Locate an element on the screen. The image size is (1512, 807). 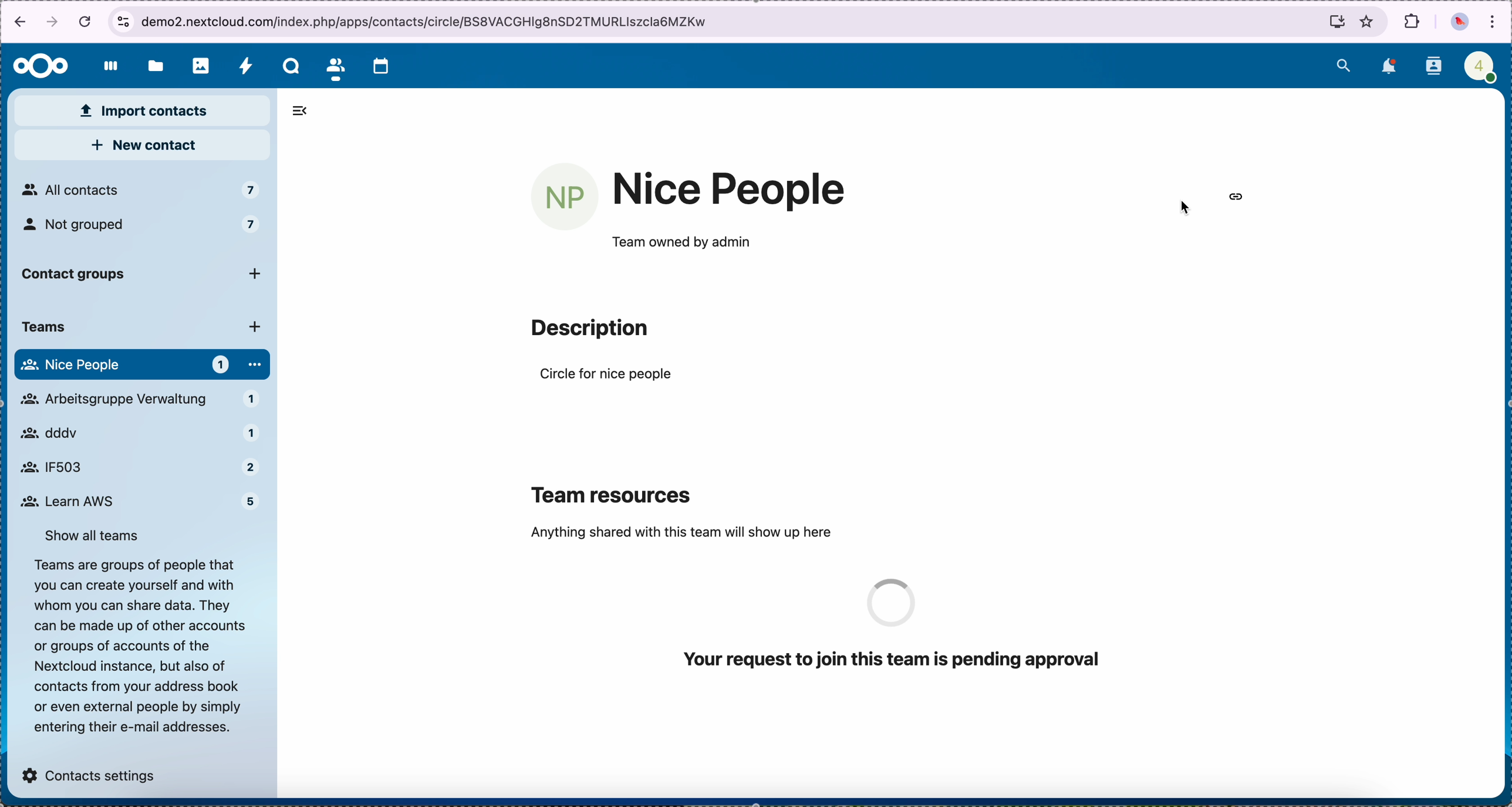
activity is located at coordinates (245, 66).